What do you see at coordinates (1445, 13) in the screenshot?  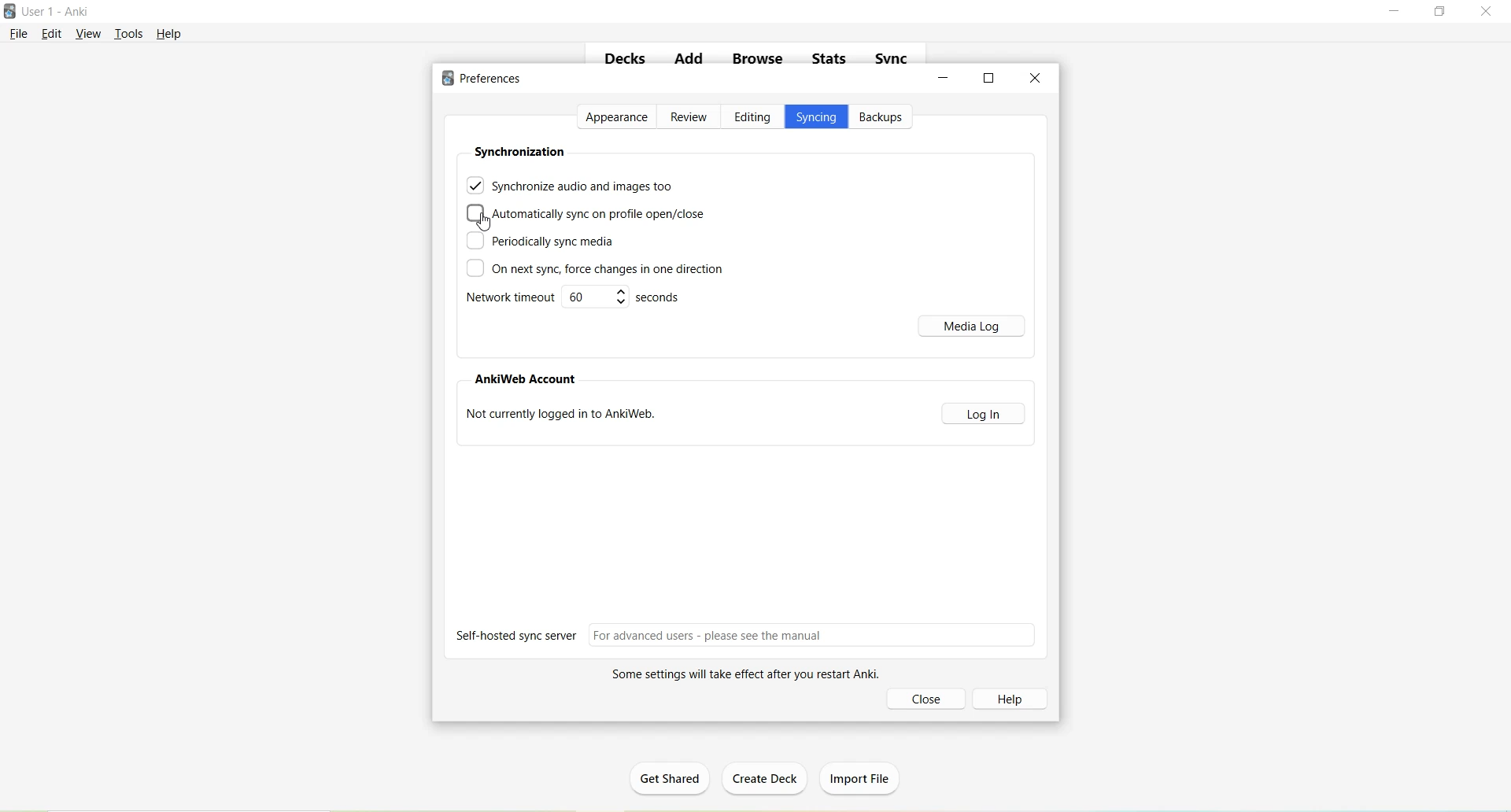 I see `Maximize` at bounding box center [1445, 13].